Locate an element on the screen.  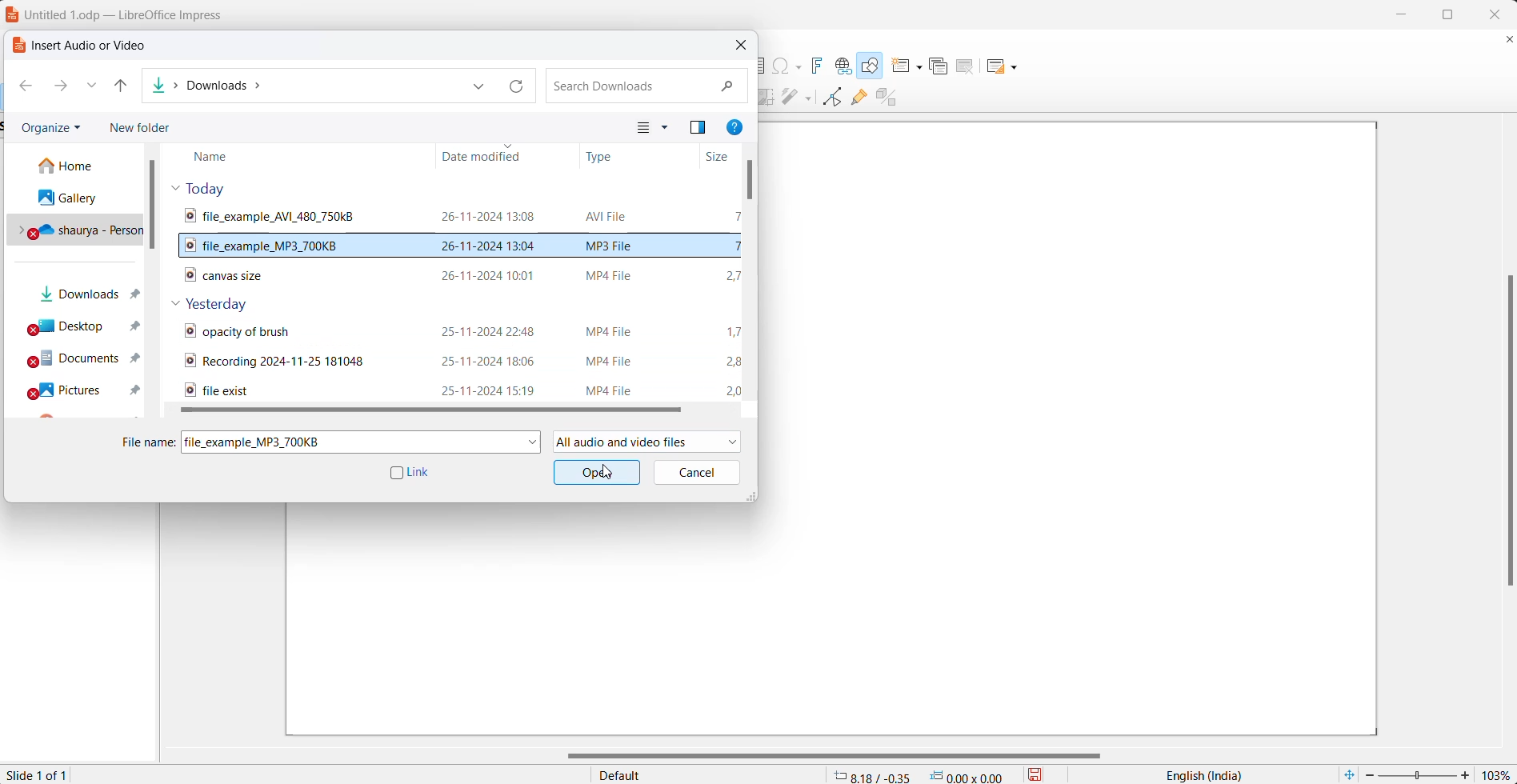
insert fontwork is located at coordinates (821, 64).